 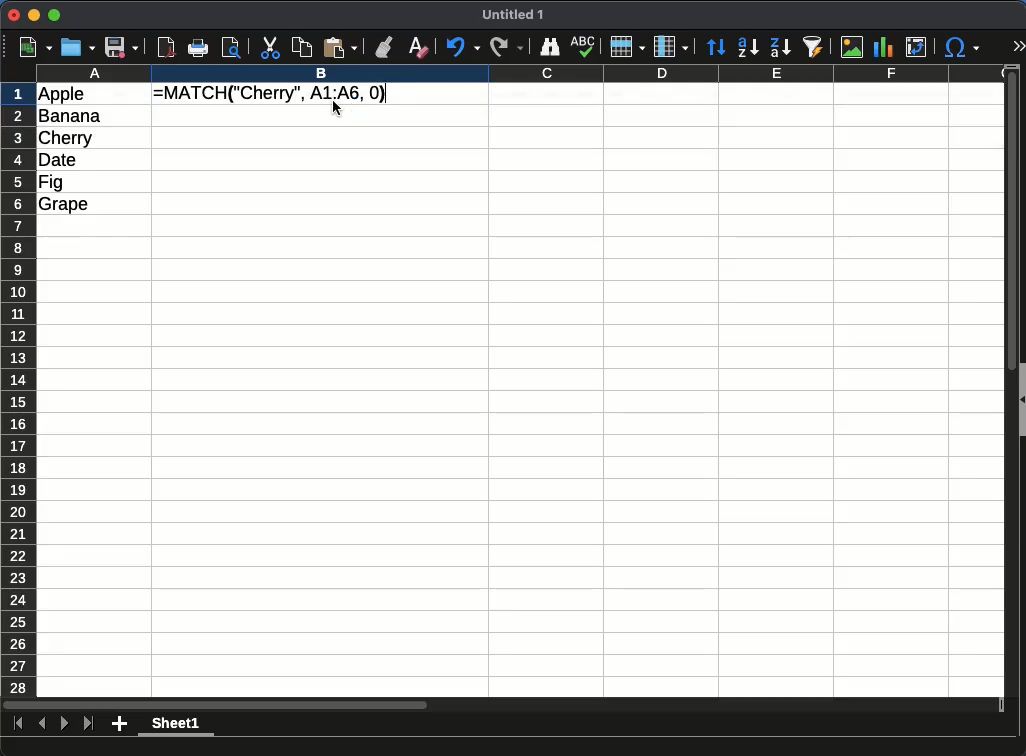 I want to click on print, so click(x=198, y=48).